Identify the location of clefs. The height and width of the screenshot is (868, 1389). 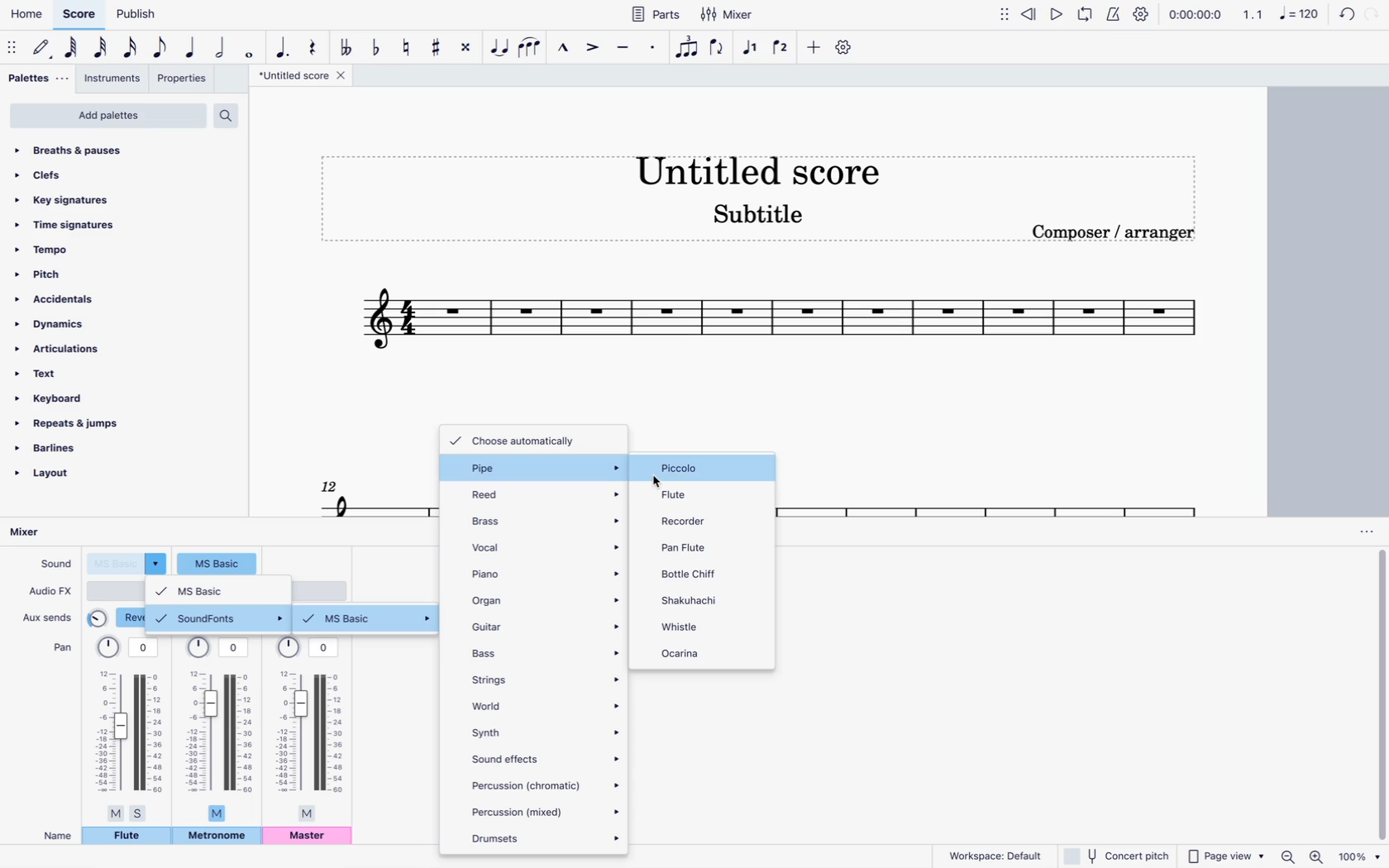
(88, 174).